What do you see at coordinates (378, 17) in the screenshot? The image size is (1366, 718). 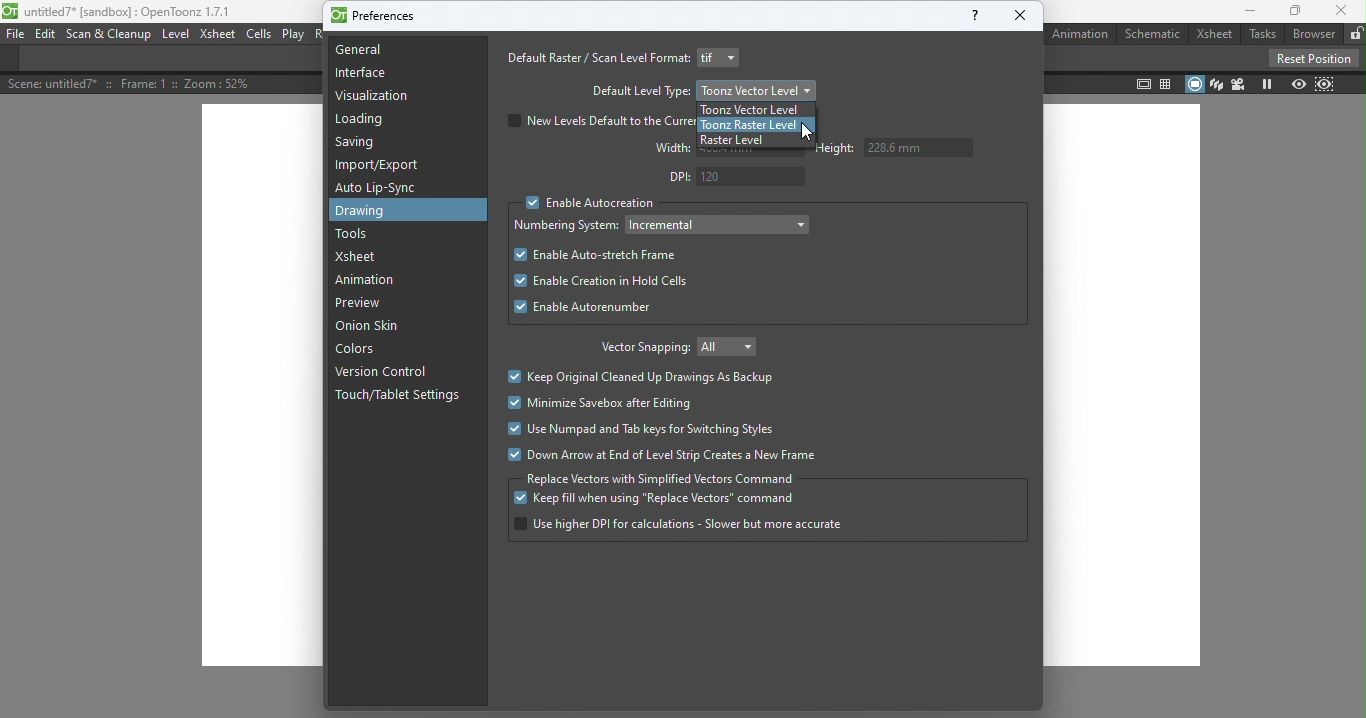 I see `Preferences` at bounding box center [378, 17].